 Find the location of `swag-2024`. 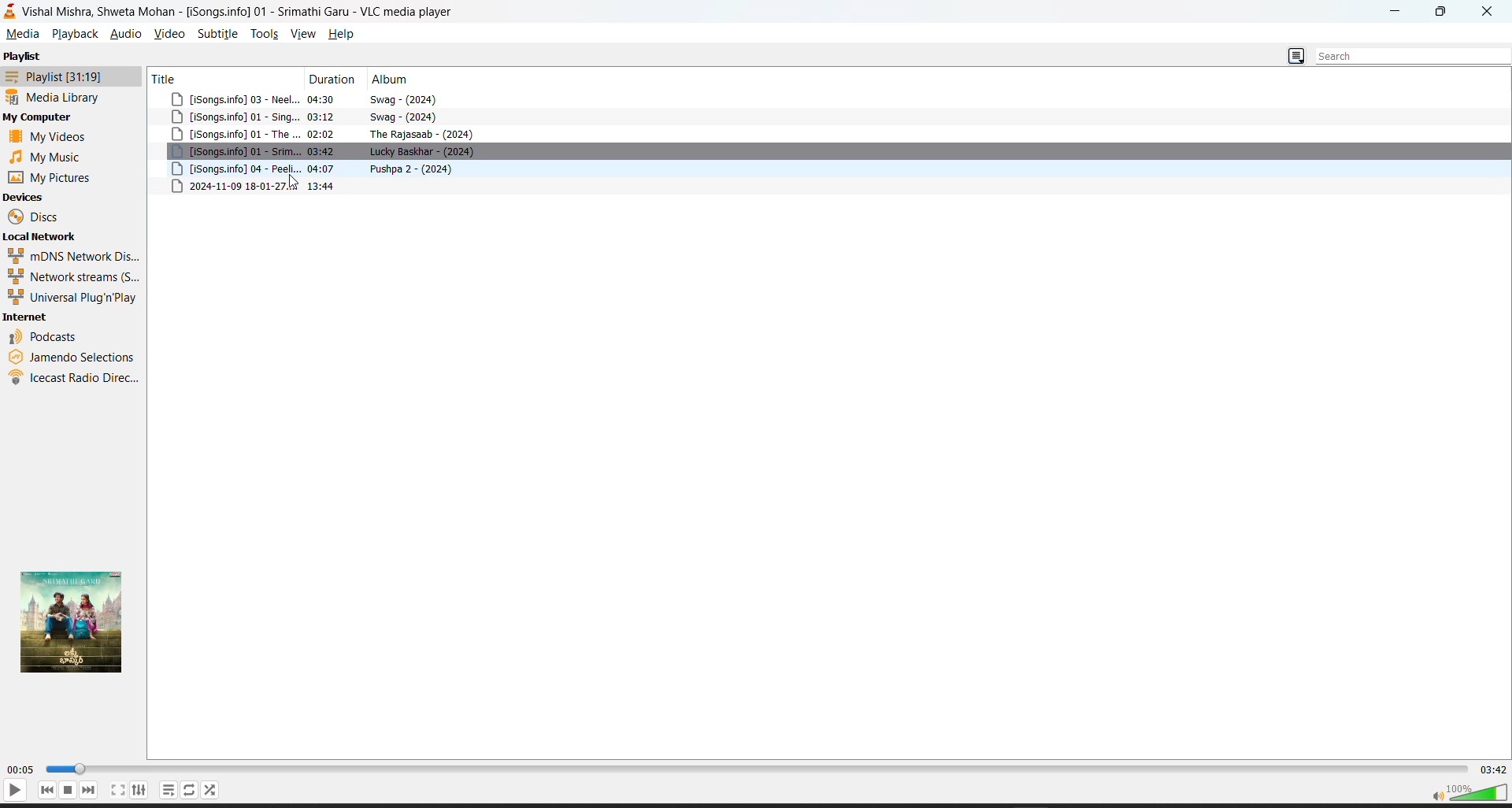

swag-2024 is located at coordinates (409, 98).